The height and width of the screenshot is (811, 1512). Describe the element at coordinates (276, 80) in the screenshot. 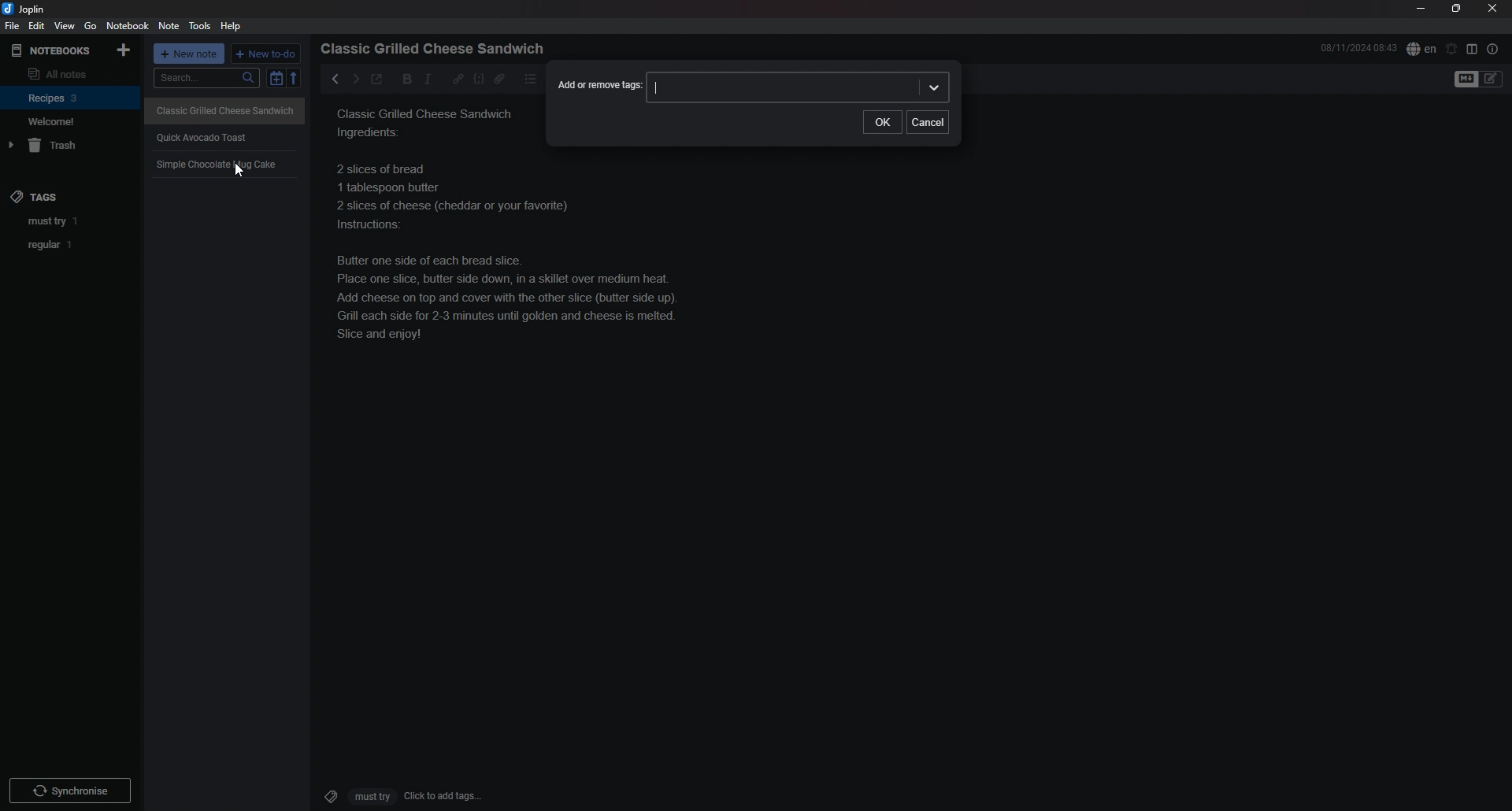

I see `toggle sort order` at that location.